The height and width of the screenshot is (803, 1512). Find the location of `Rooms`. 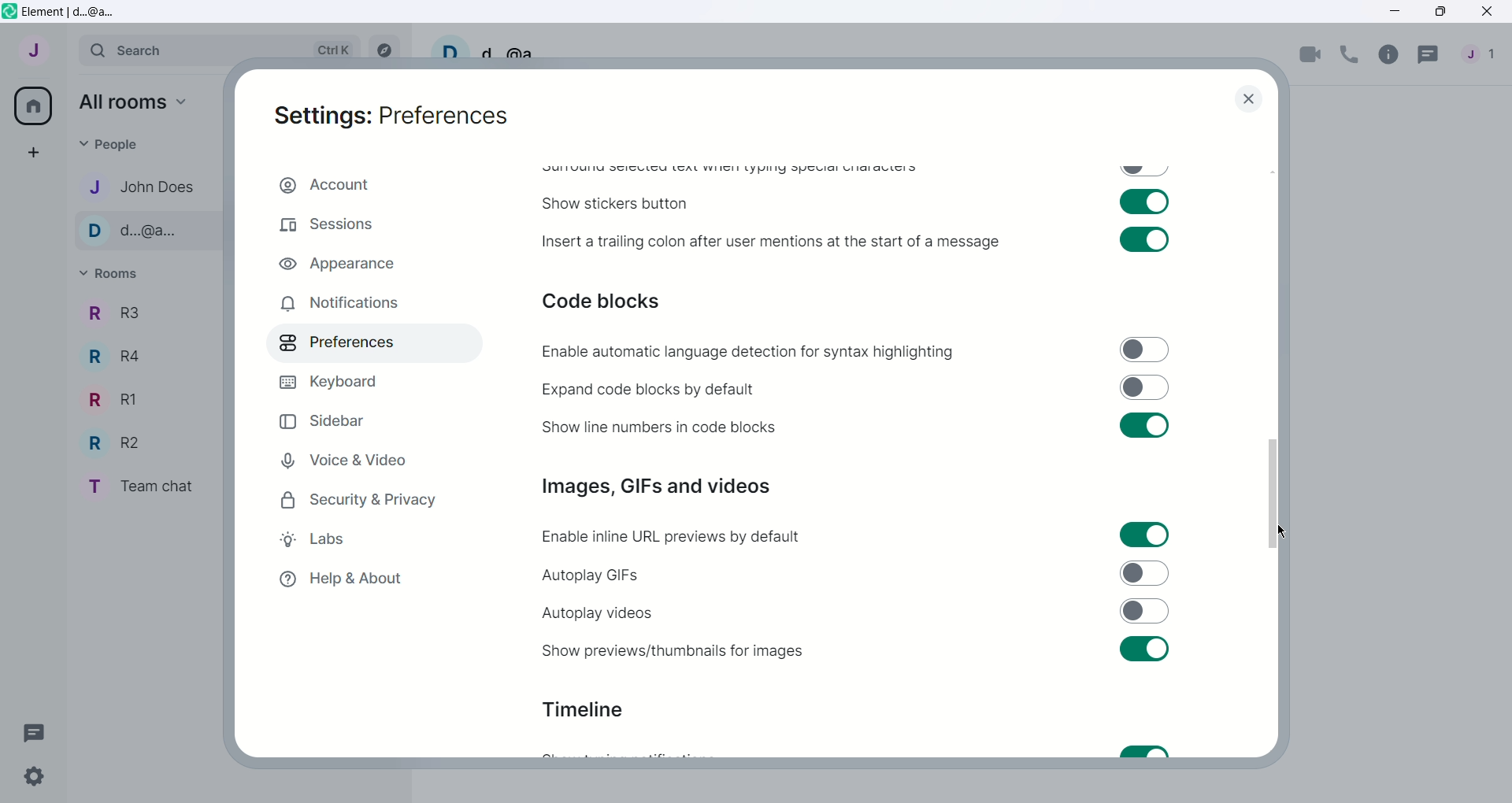

Rooms is located at coordinates (113, 274).